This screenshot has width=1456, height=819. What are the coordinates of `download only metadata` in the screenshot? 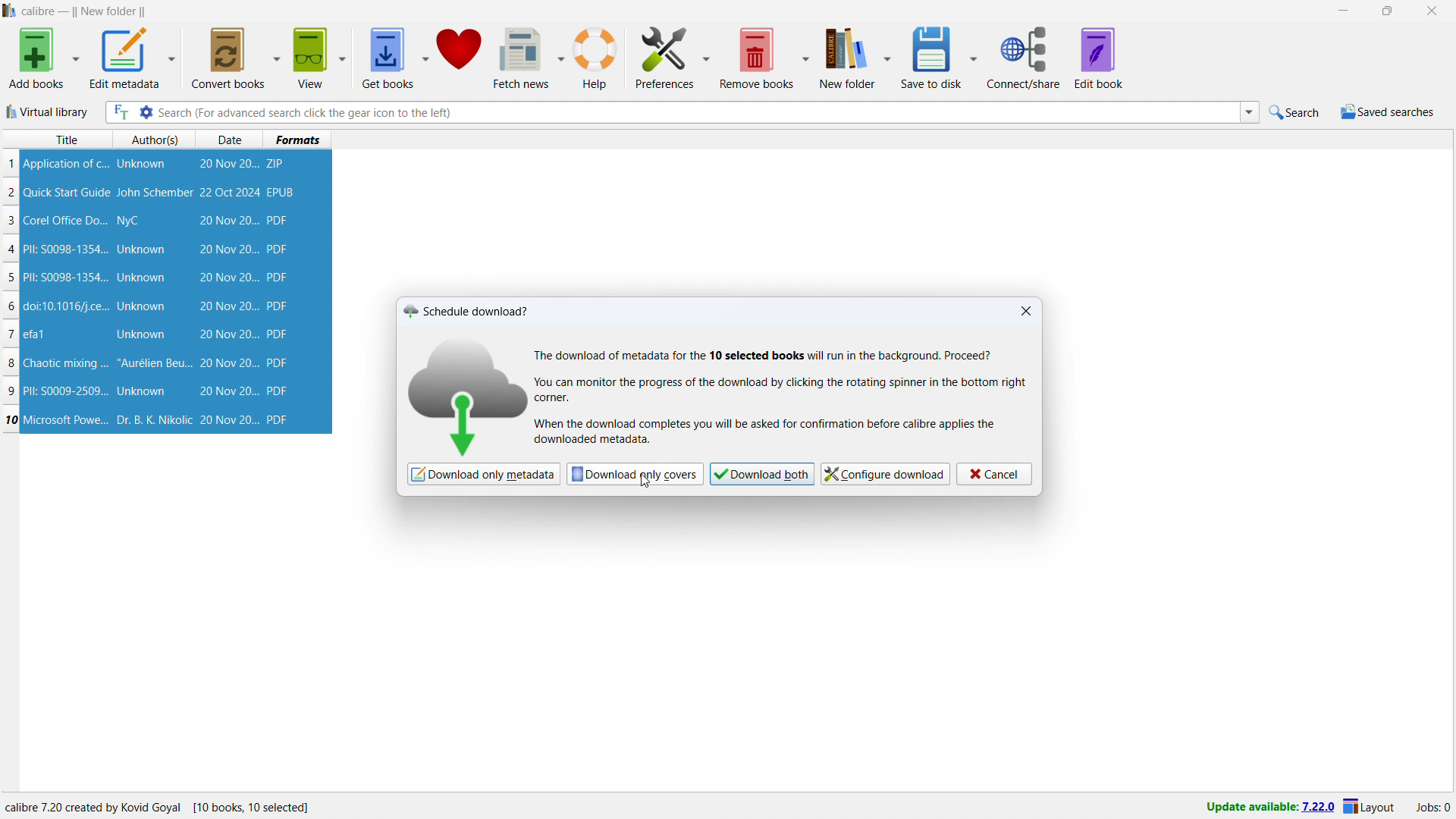 It's located at (483, 474).